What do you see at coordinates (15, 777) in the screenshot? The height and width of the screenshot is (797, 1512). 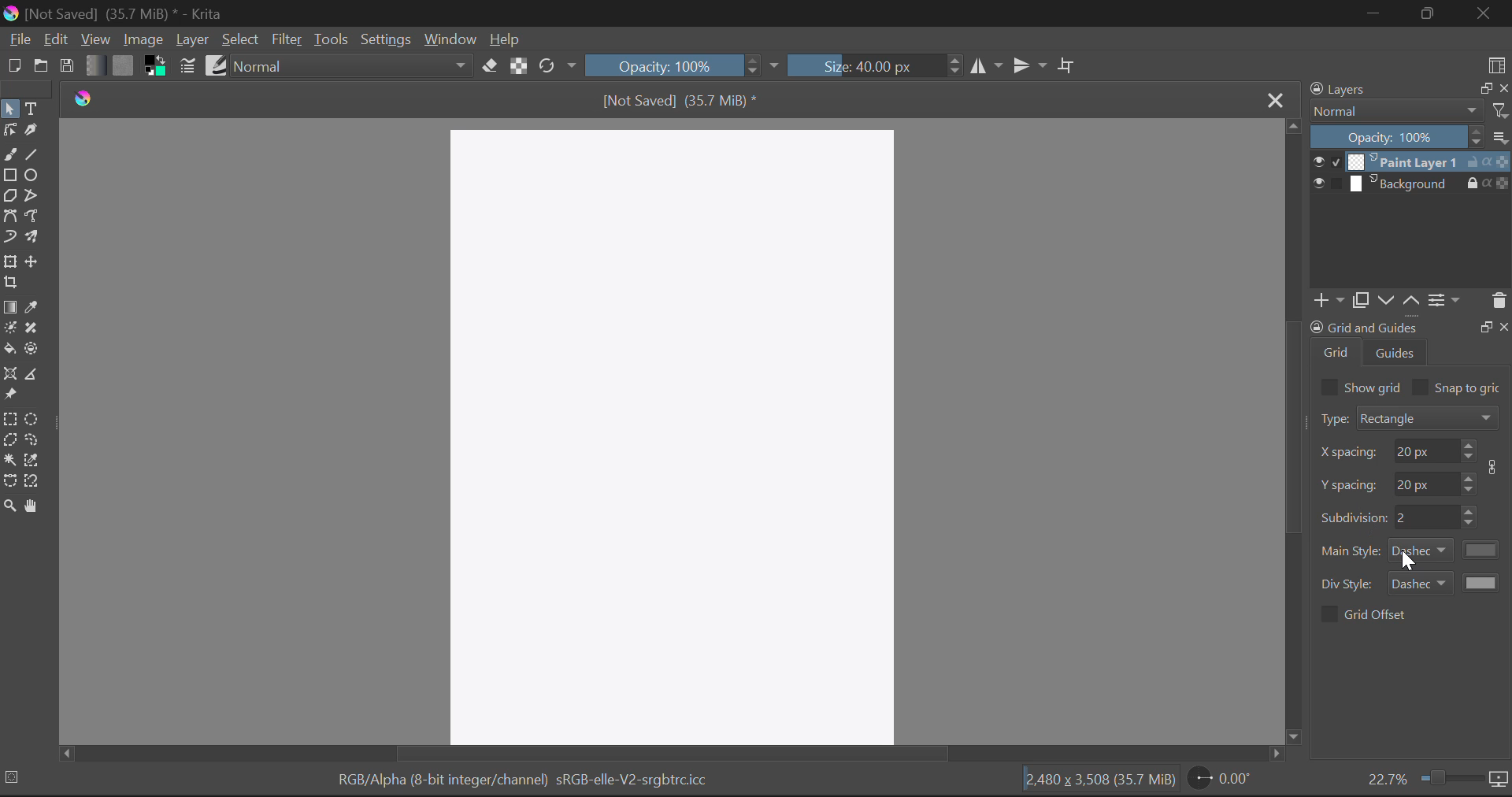 I see `selection` at bounding box center [15, 777].